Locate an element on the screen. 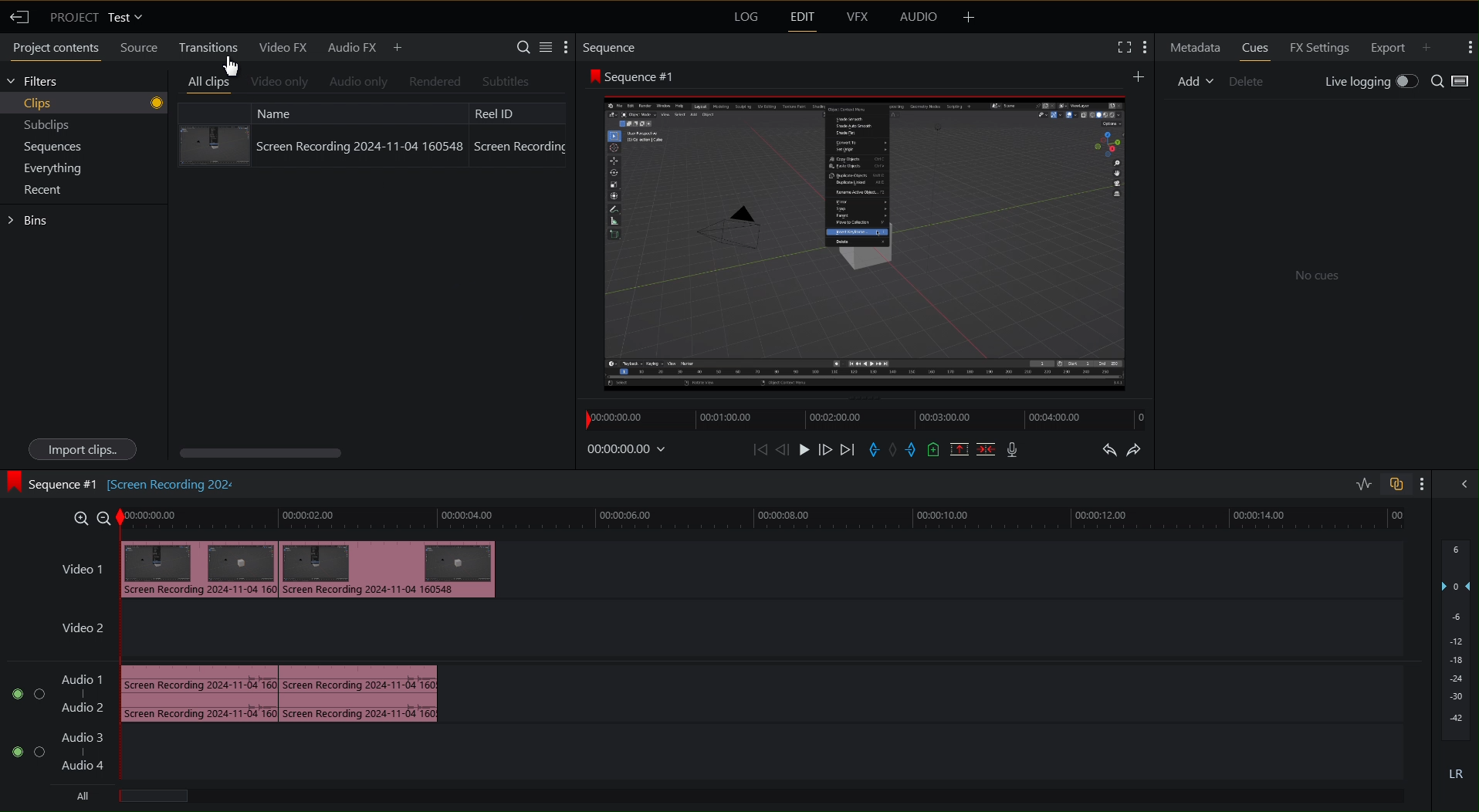  Audio is located at coordinates (919, 18).